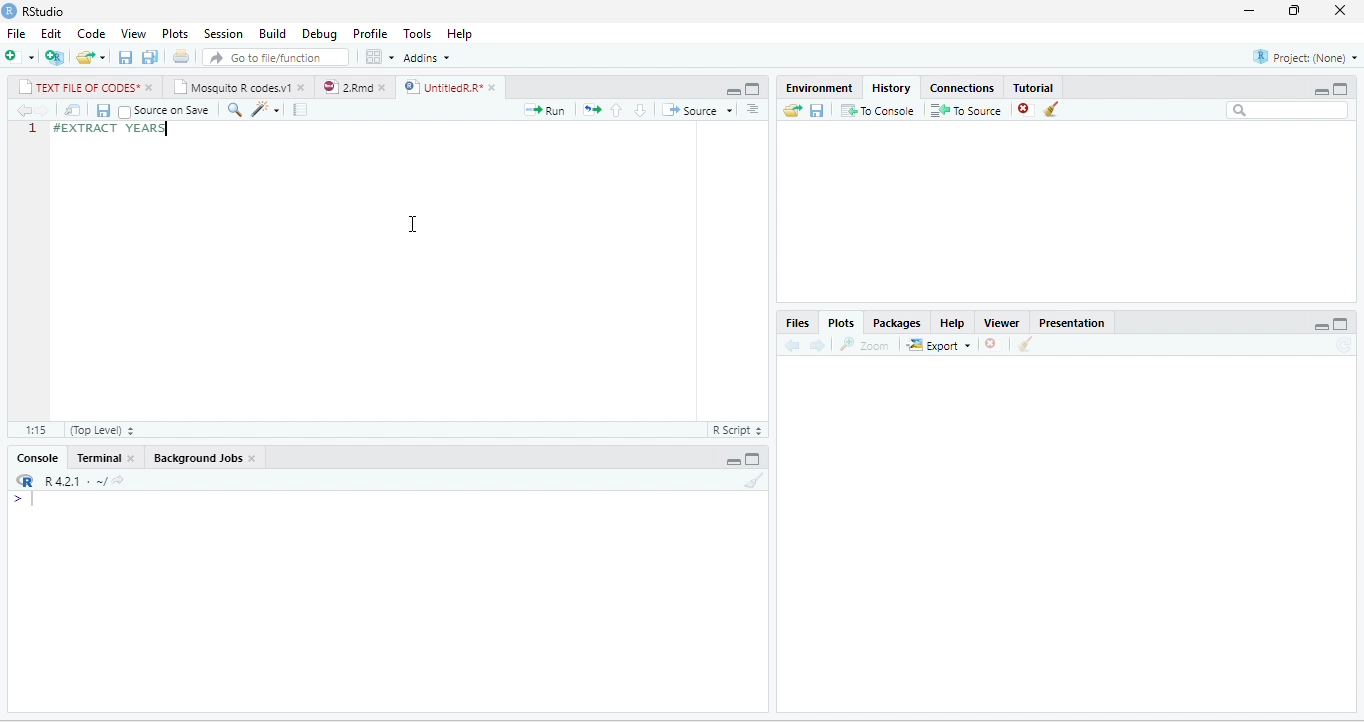 This screenshot has width=1364, height=722. Describe the element at coordinates (23, 110) in the screenshot. I see `back` at that location.